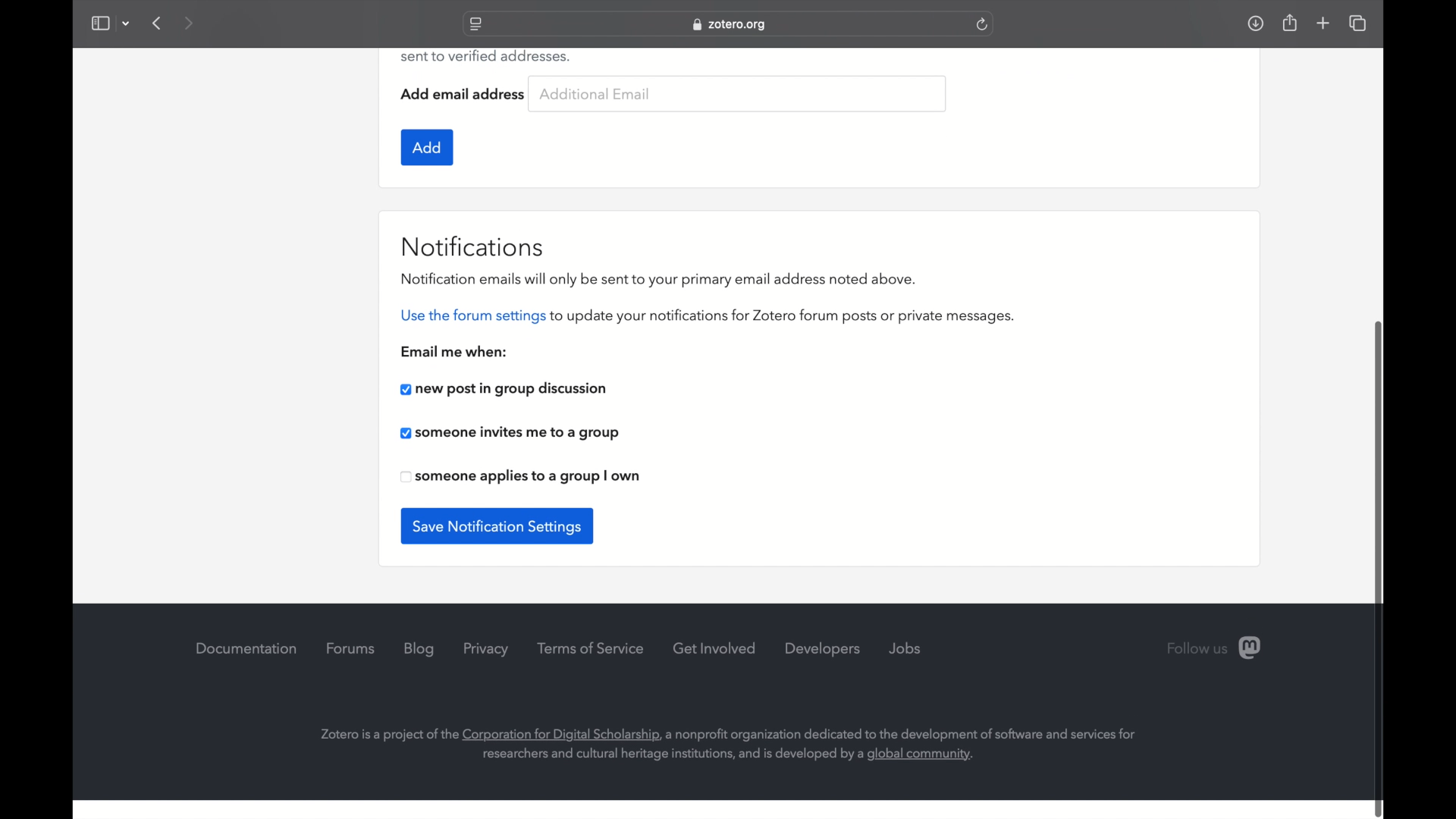  Describe the element at coordinates (126, 23) in the screenshot. I see `dropdown` at that location.